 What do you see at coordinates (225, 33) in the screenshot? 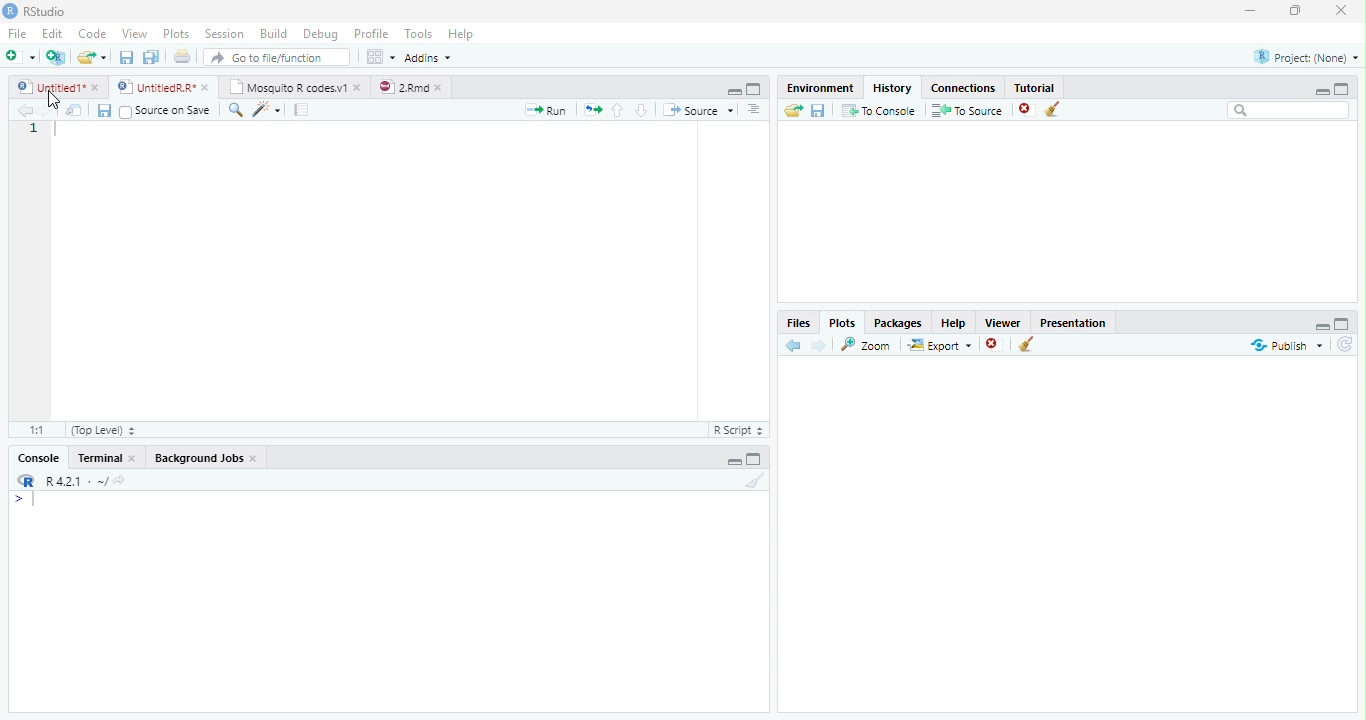
I see `Session` at bounding box center [225, 33].